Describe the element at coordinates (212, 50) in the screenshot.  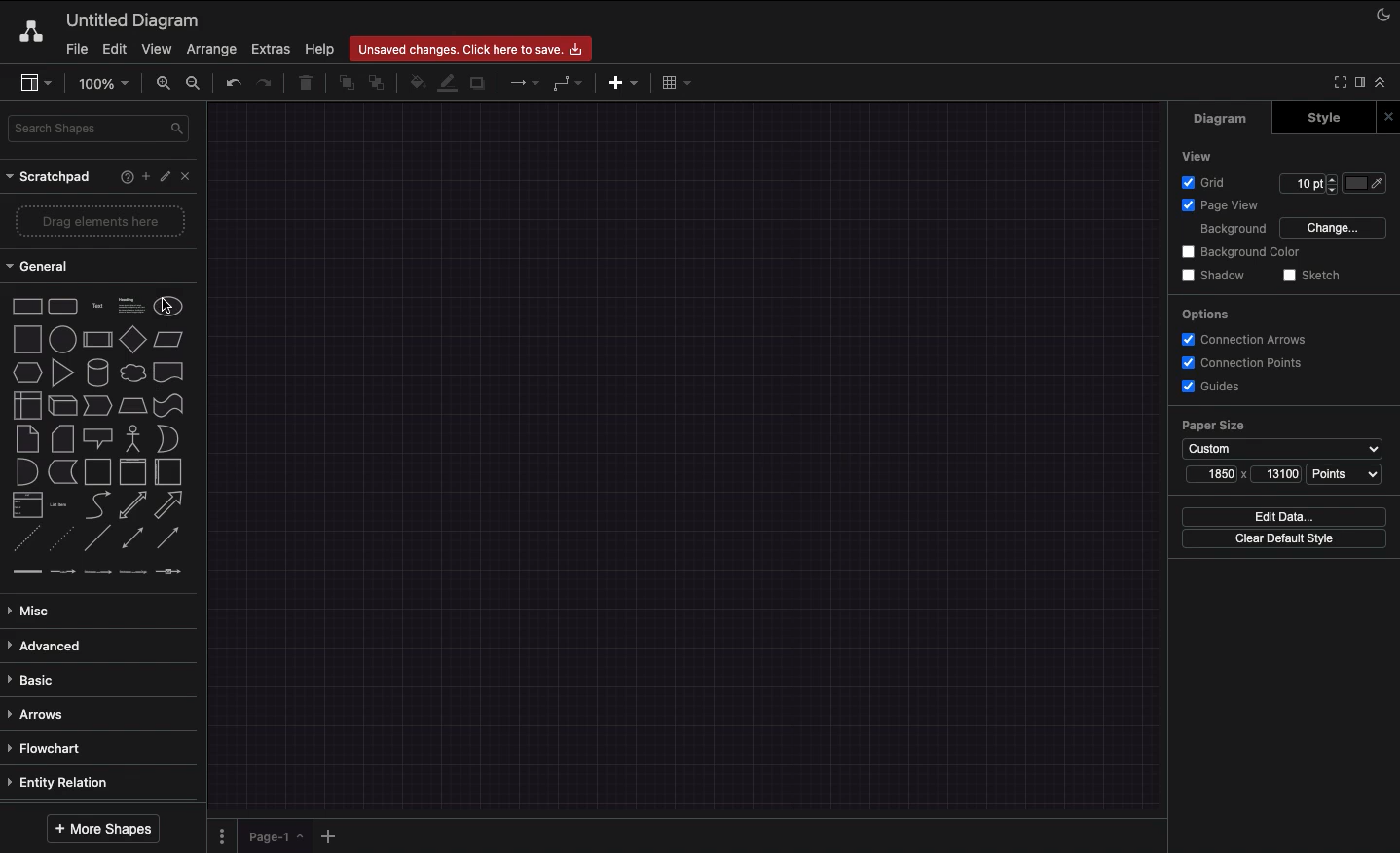
I see `Arrange` at that location.